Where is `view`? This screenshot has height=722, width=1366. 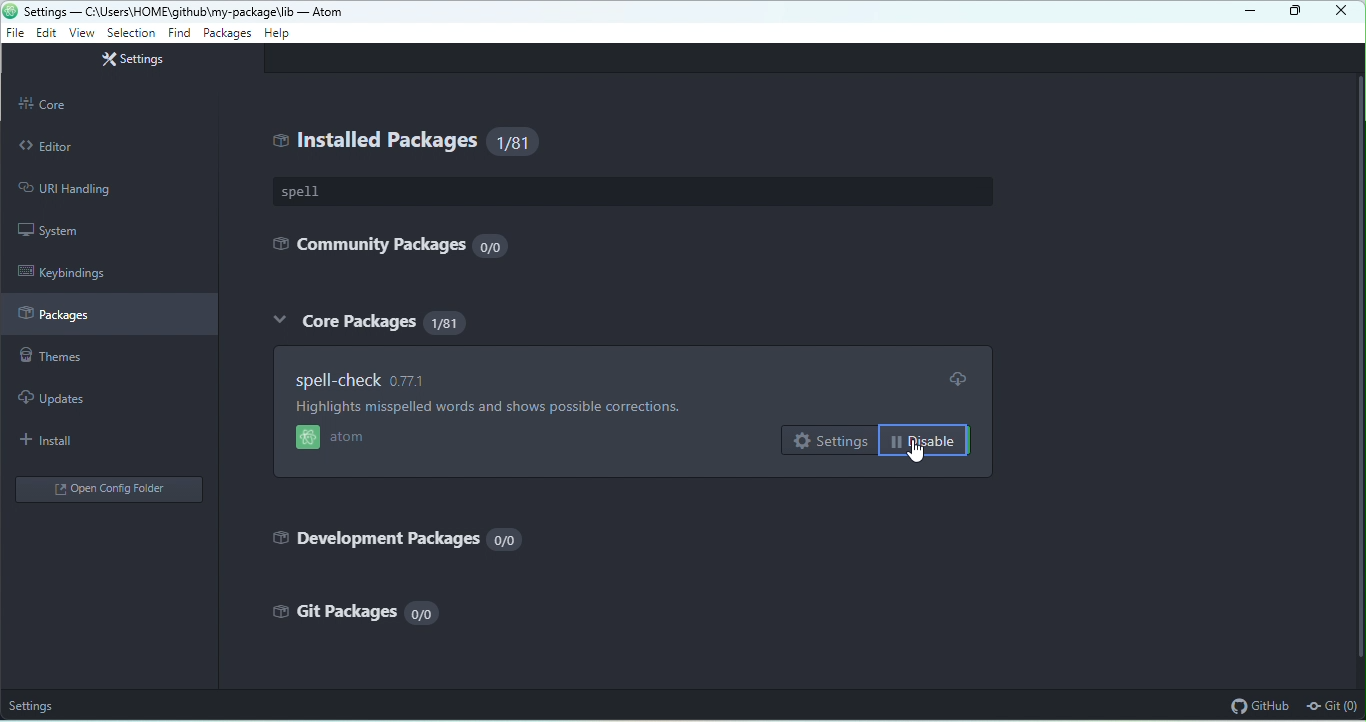
view is located at coordinates (79, 33).